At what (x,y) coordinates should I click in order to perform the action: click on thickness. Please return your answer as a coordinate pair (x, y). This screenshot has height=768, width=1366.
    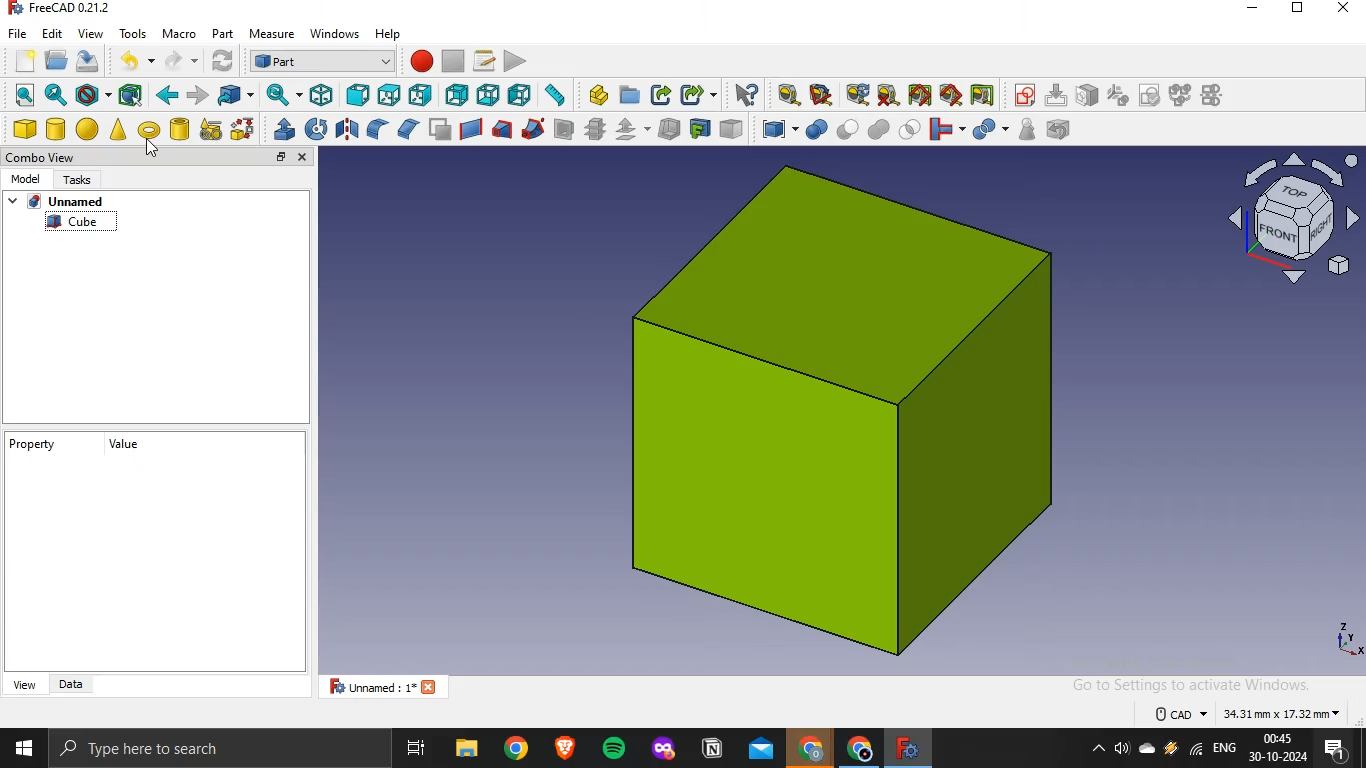
    Looking at the image, I should click on (667, 130).